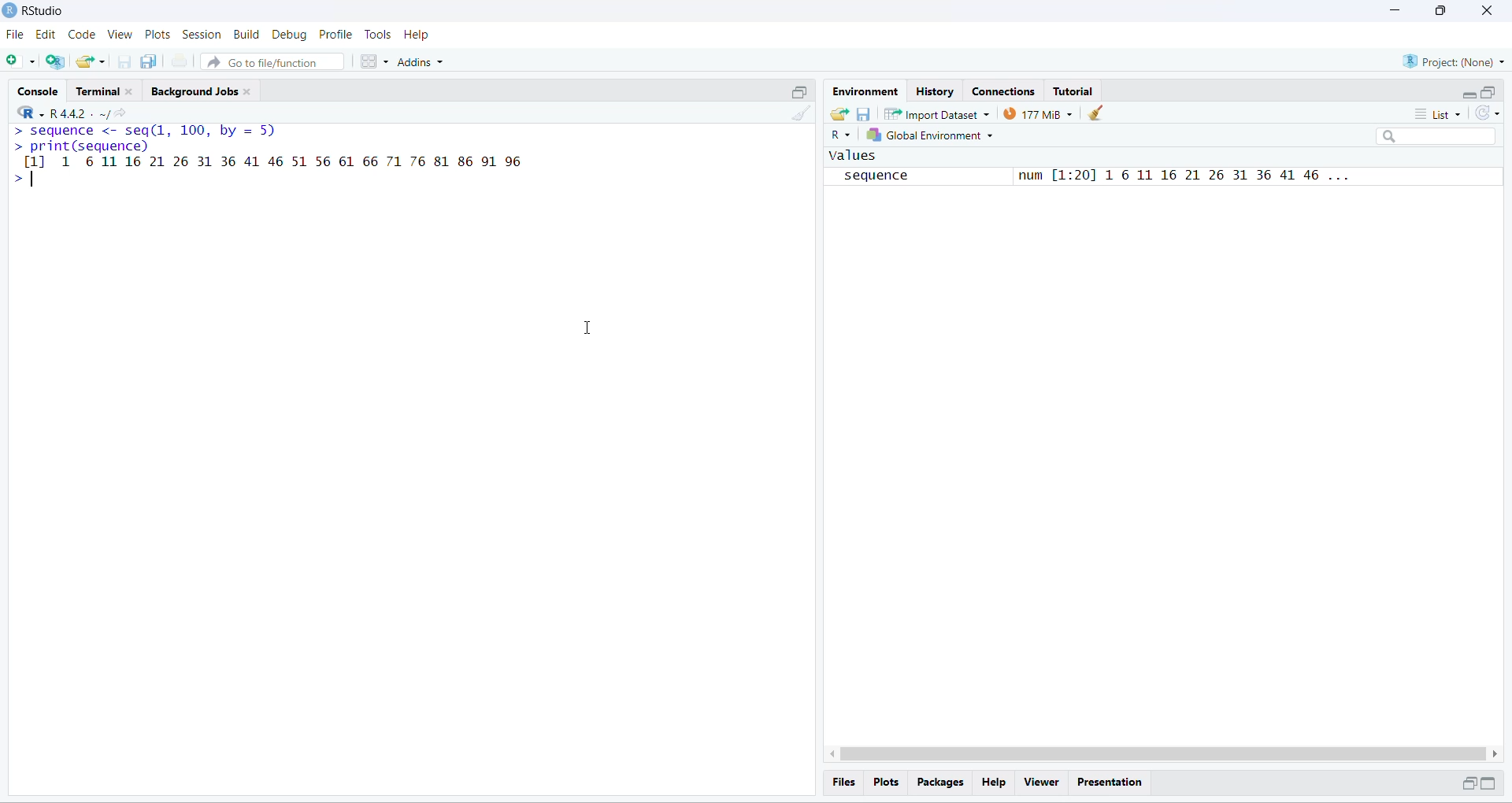 The image size is (1512, 803). I want to click on copy, so click(150, 61).